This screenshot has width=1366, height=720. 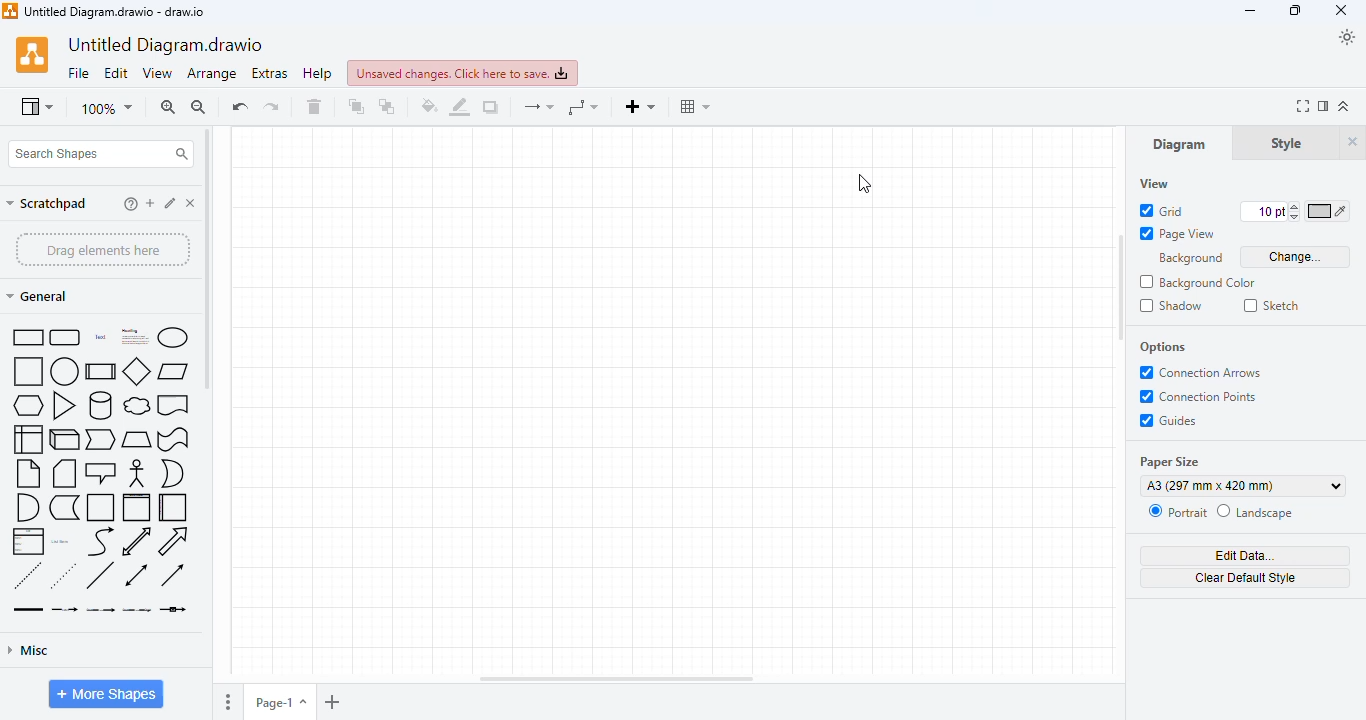 I want to click on  color, so click(x=1328, y=211).